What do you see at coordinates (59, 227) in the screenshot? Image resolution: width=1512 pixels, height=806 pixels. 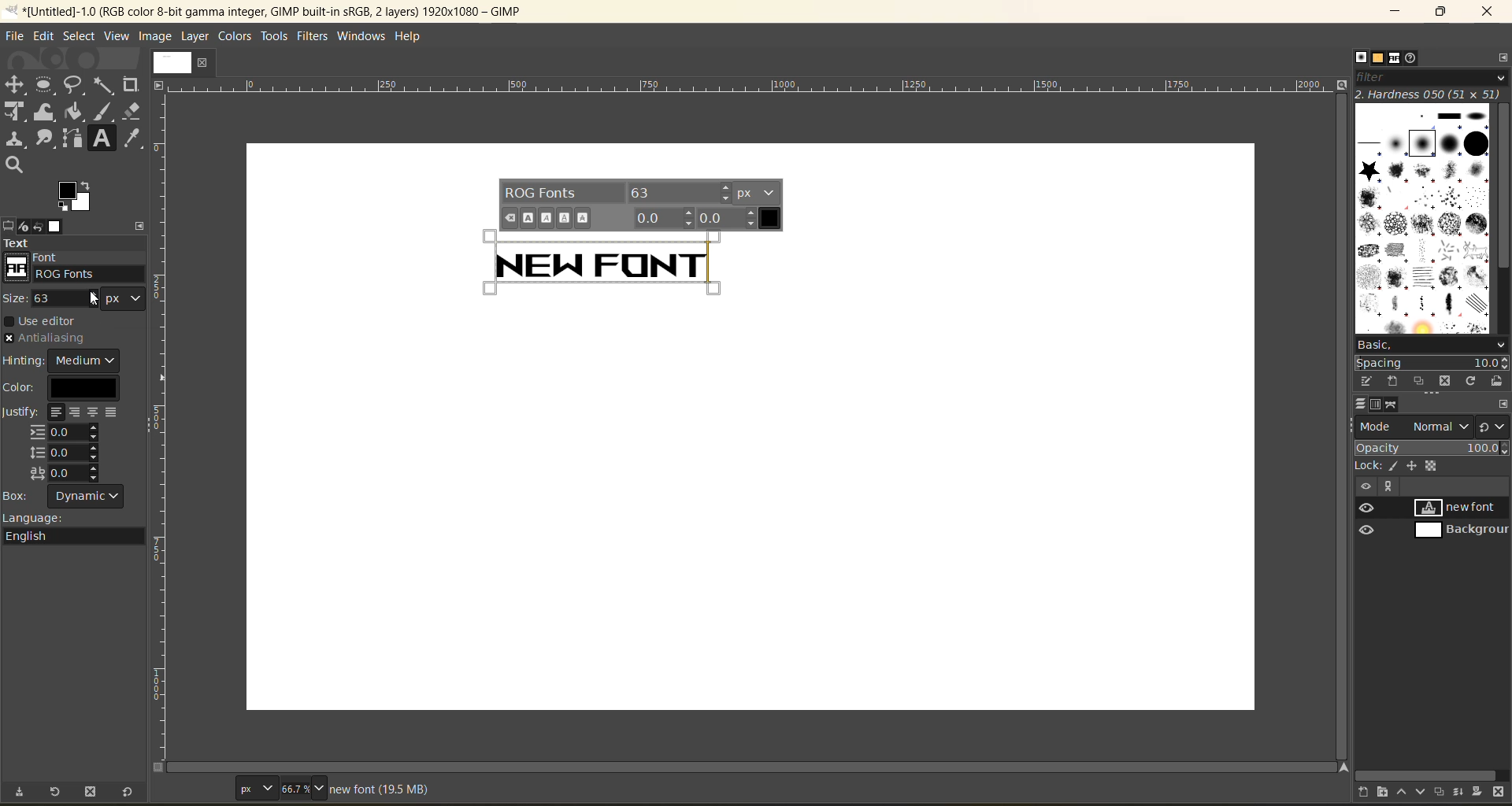 I see `images` at bounding box center [59, 227].